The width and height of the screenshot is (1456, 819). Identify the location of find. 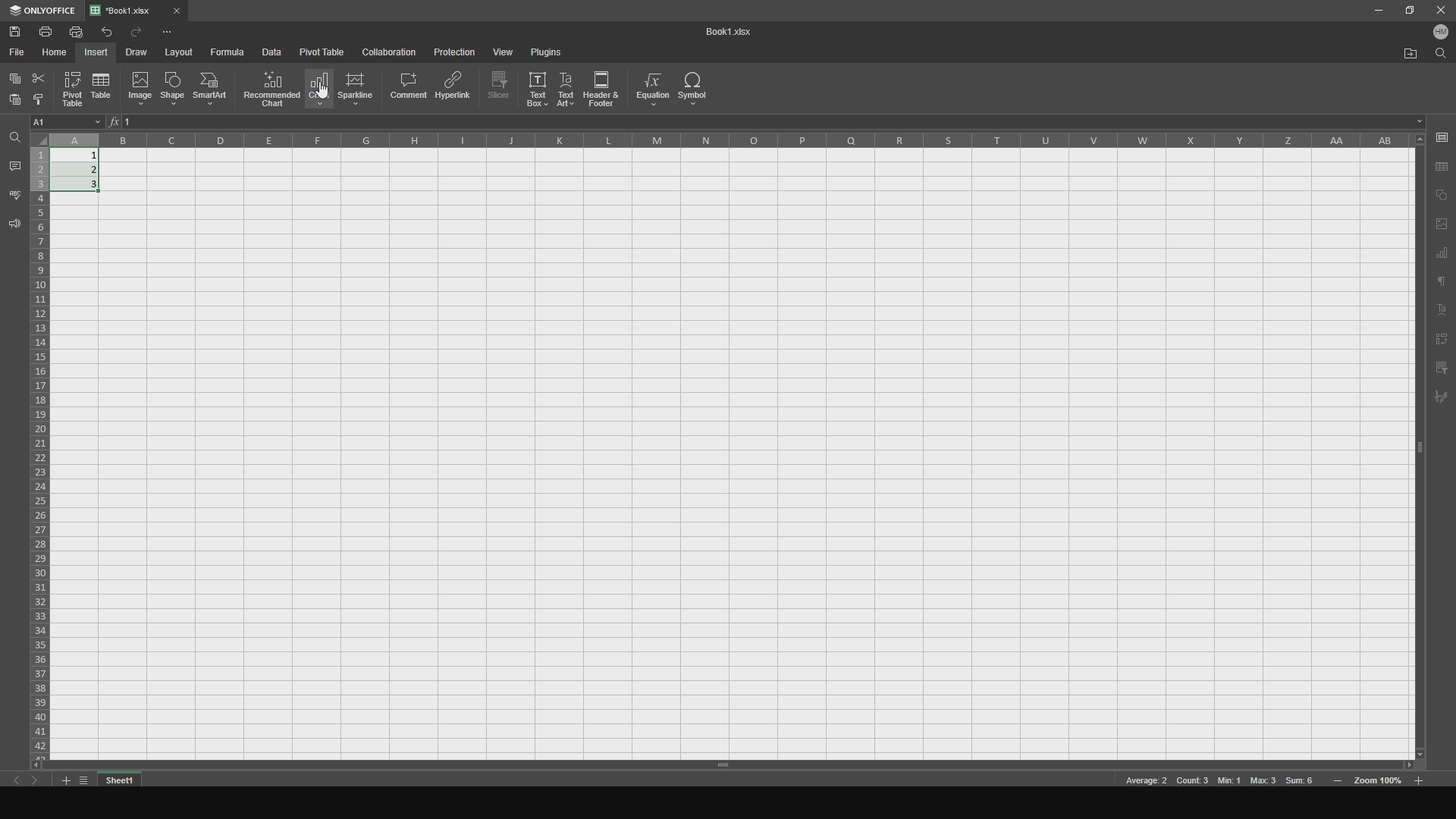
(14, 138).